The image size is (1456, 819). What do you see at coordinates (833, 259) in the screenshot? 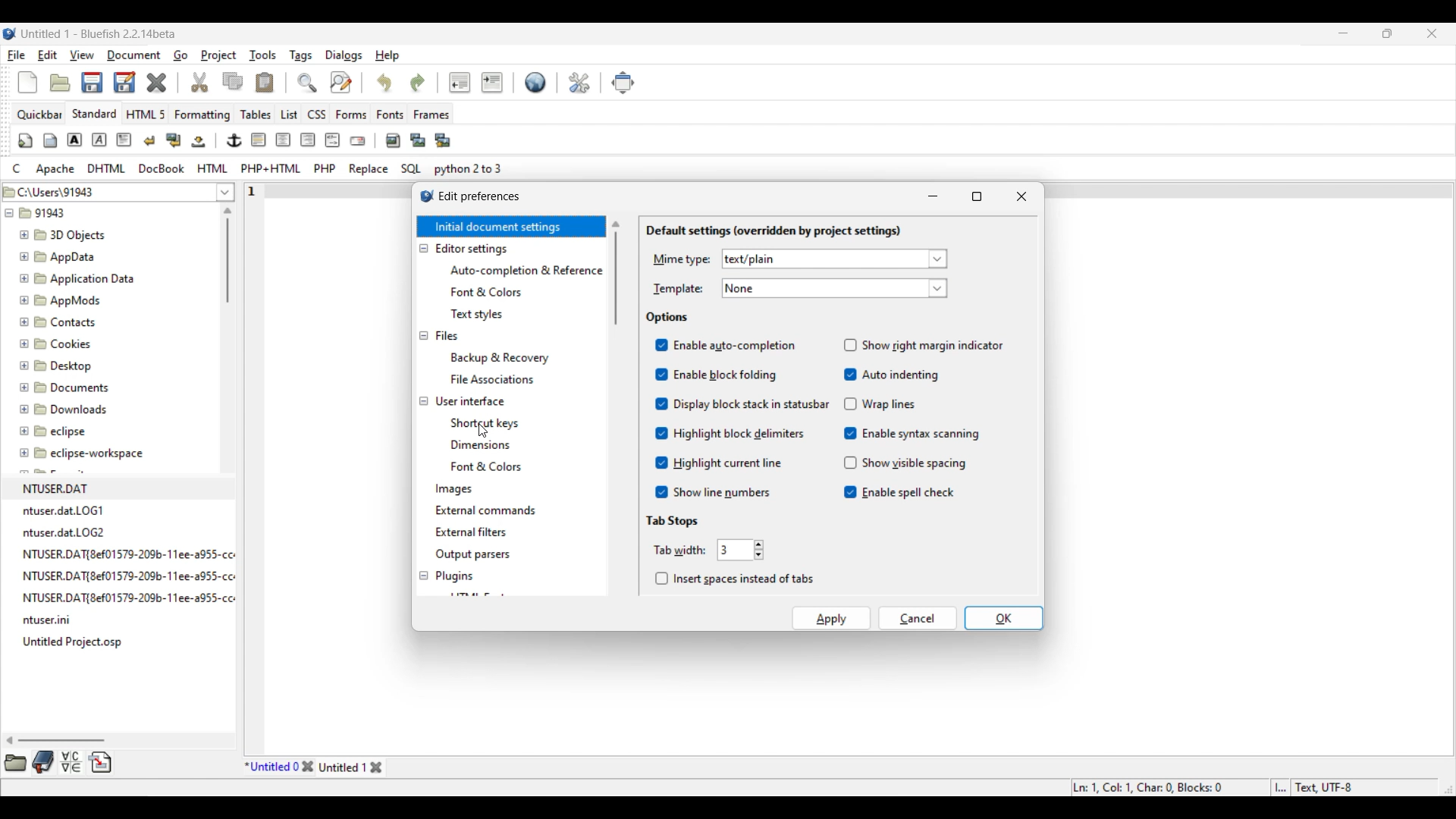
I see `select mime type` at bounding box center [833, 259].